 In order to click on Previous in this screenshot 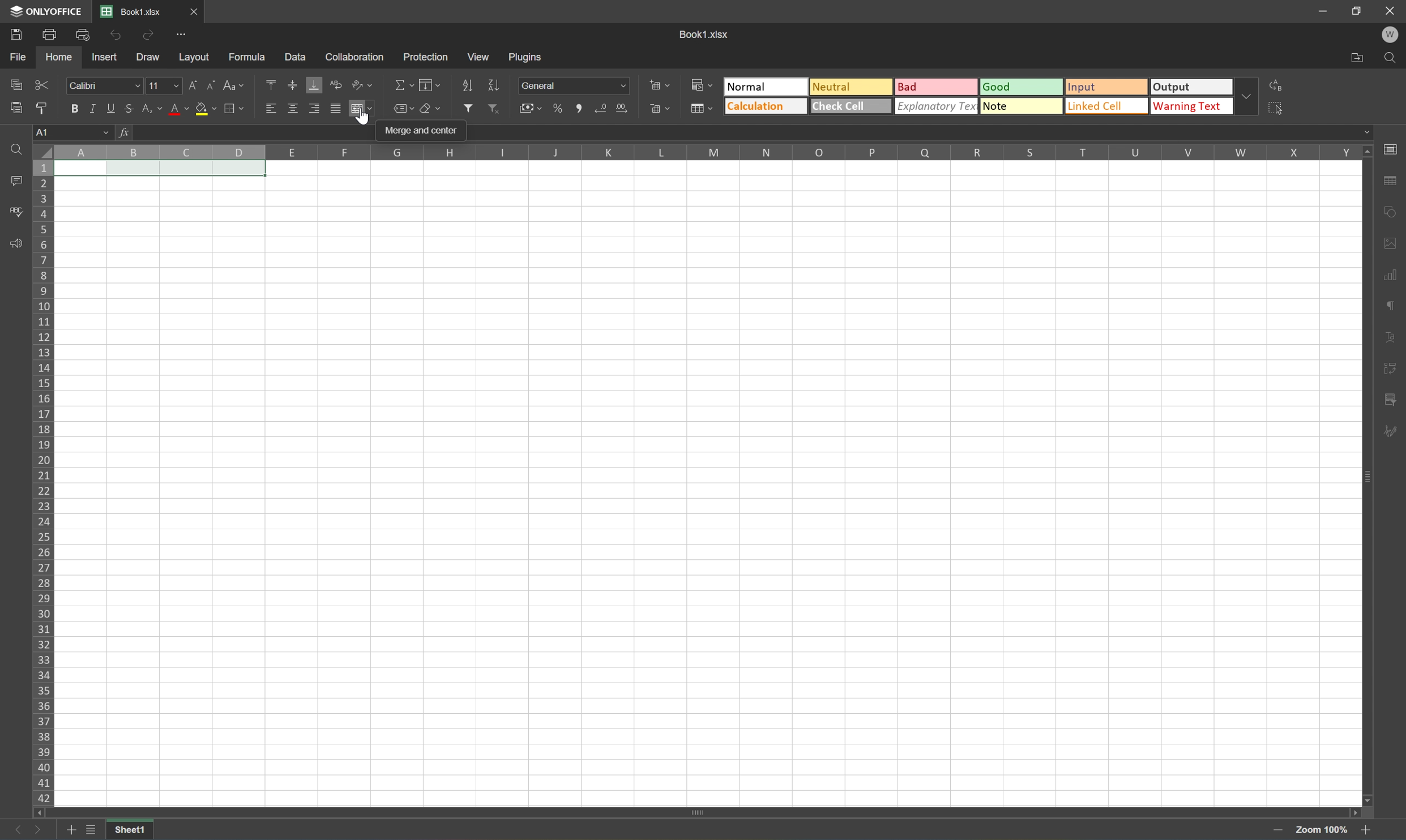, I will do `click(11, 831)`.